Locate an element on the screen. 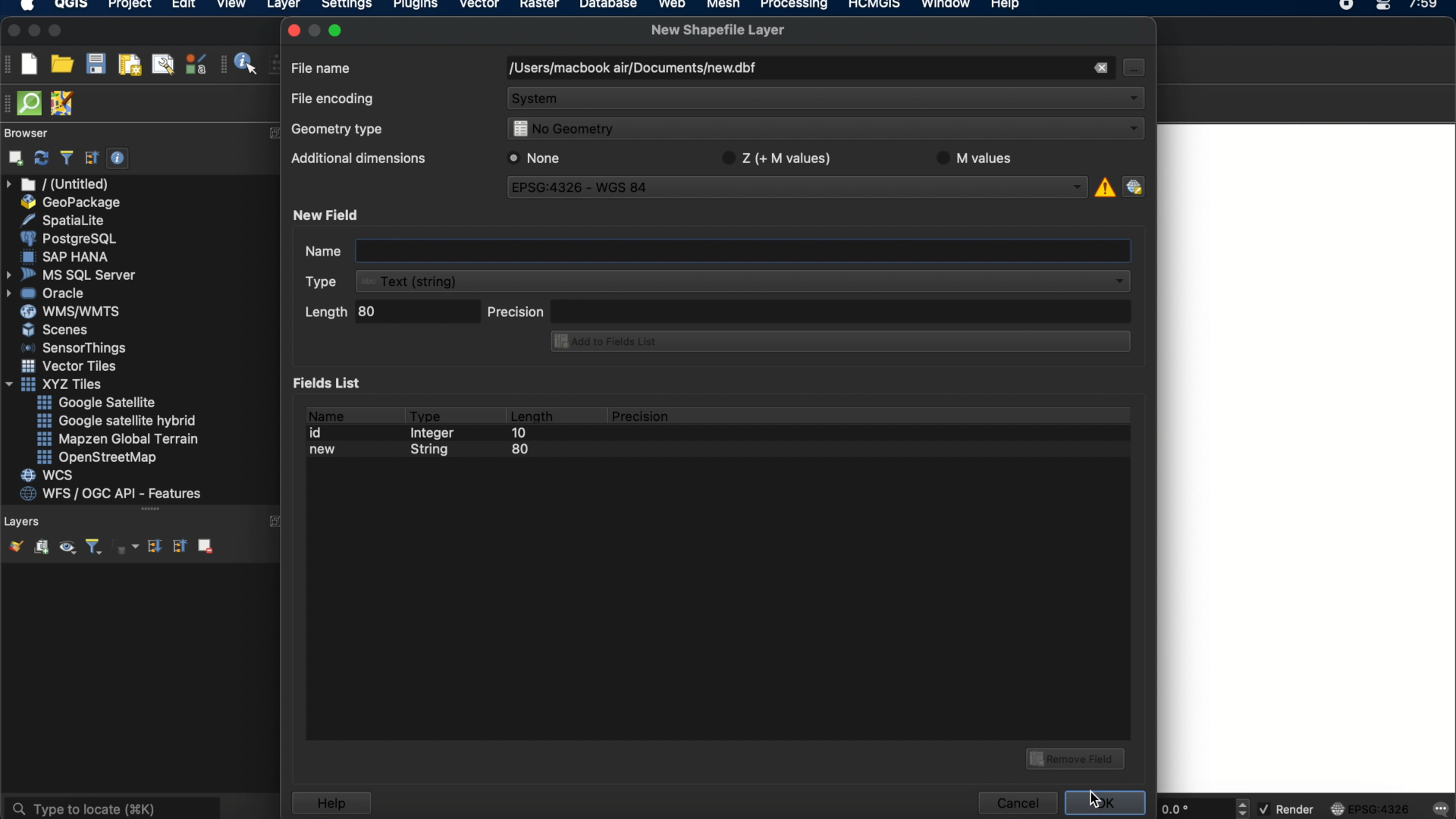 This screenshot has height=819, width=1456. No Geometry is located at coordinates (822, 130).